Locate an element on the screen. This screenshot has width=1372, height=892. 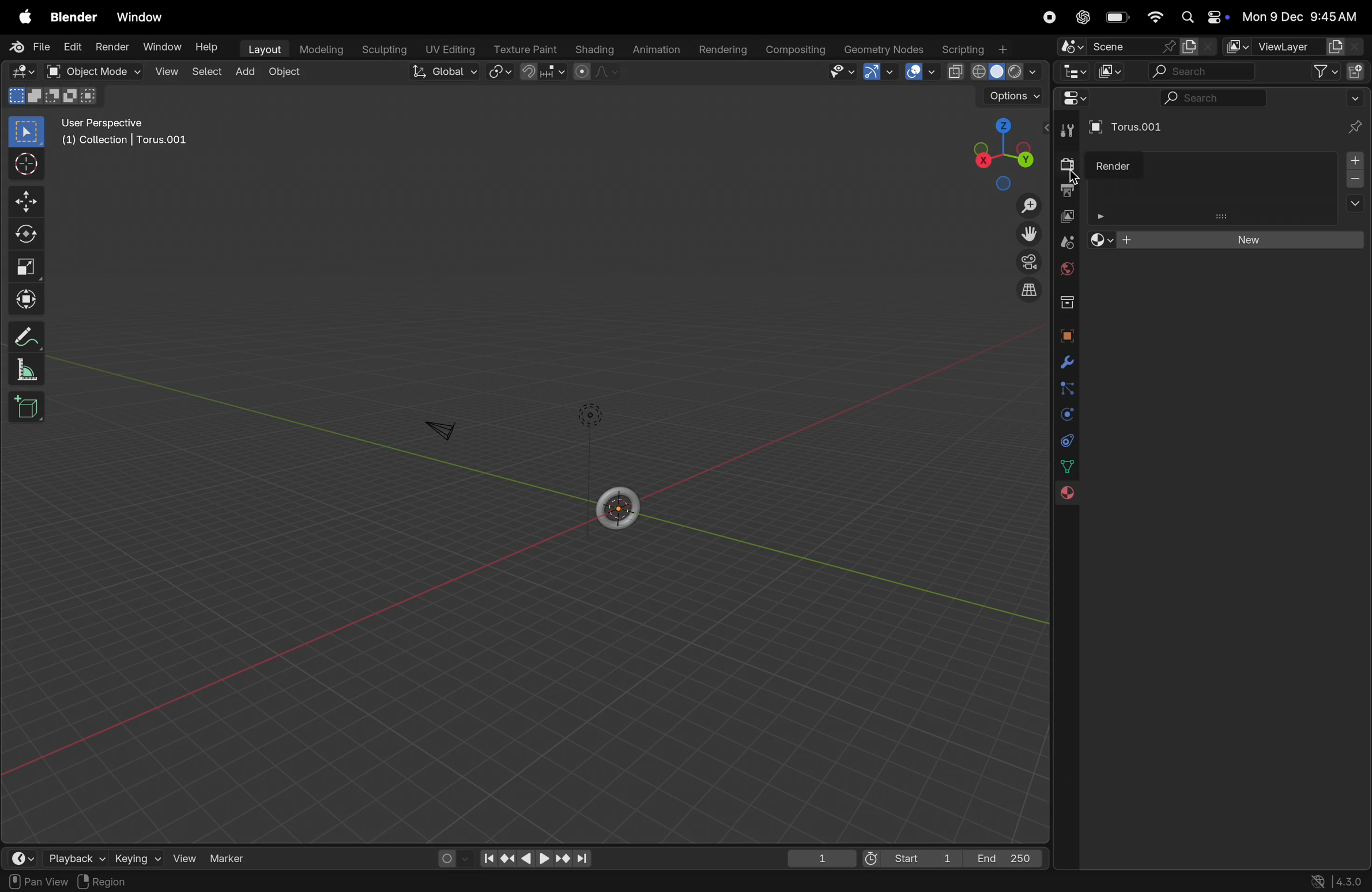
Blender is located at coordinates (73, 17).